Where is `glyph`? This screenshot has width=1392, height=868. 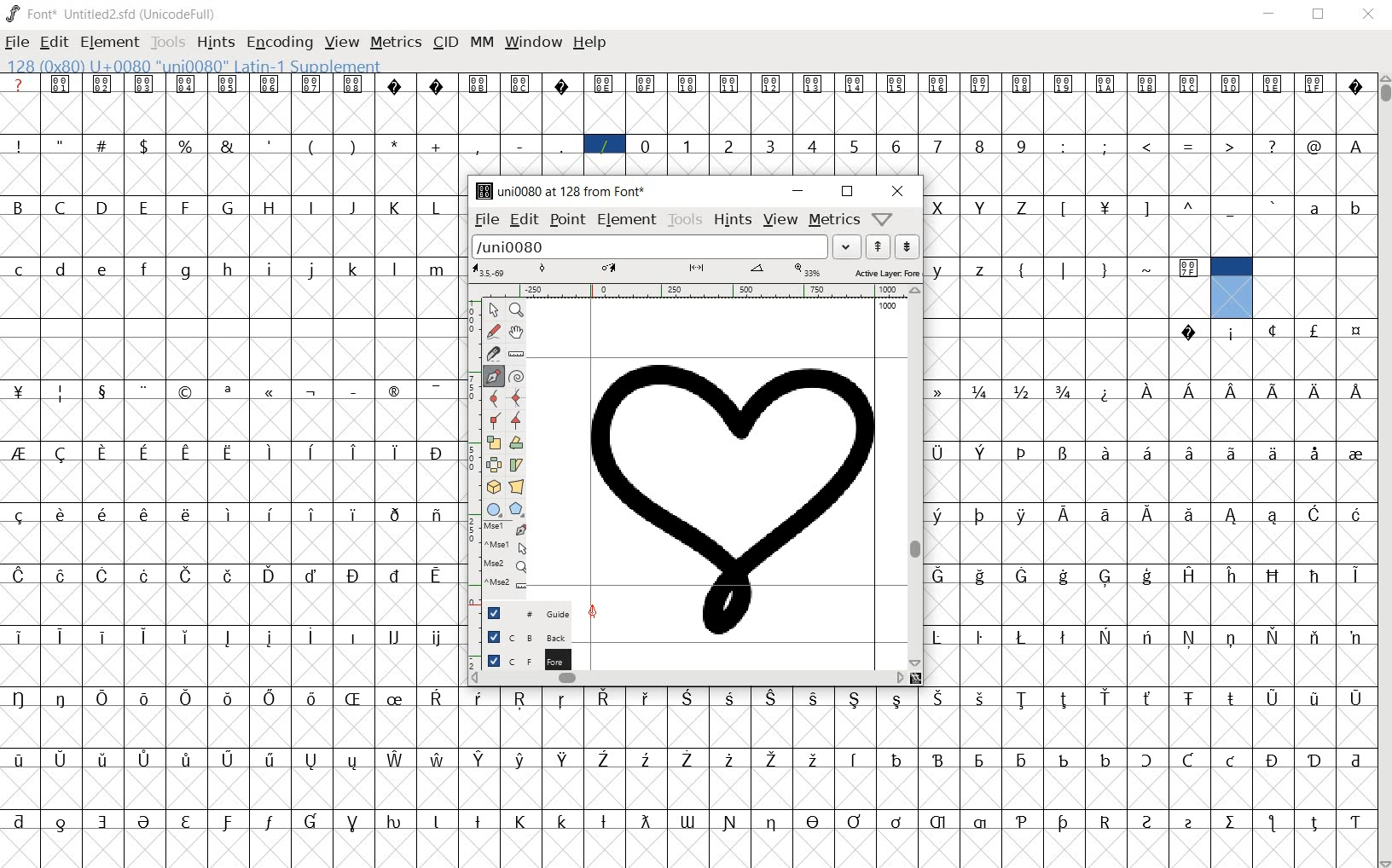 glyph is located at coordinates (270, 145).